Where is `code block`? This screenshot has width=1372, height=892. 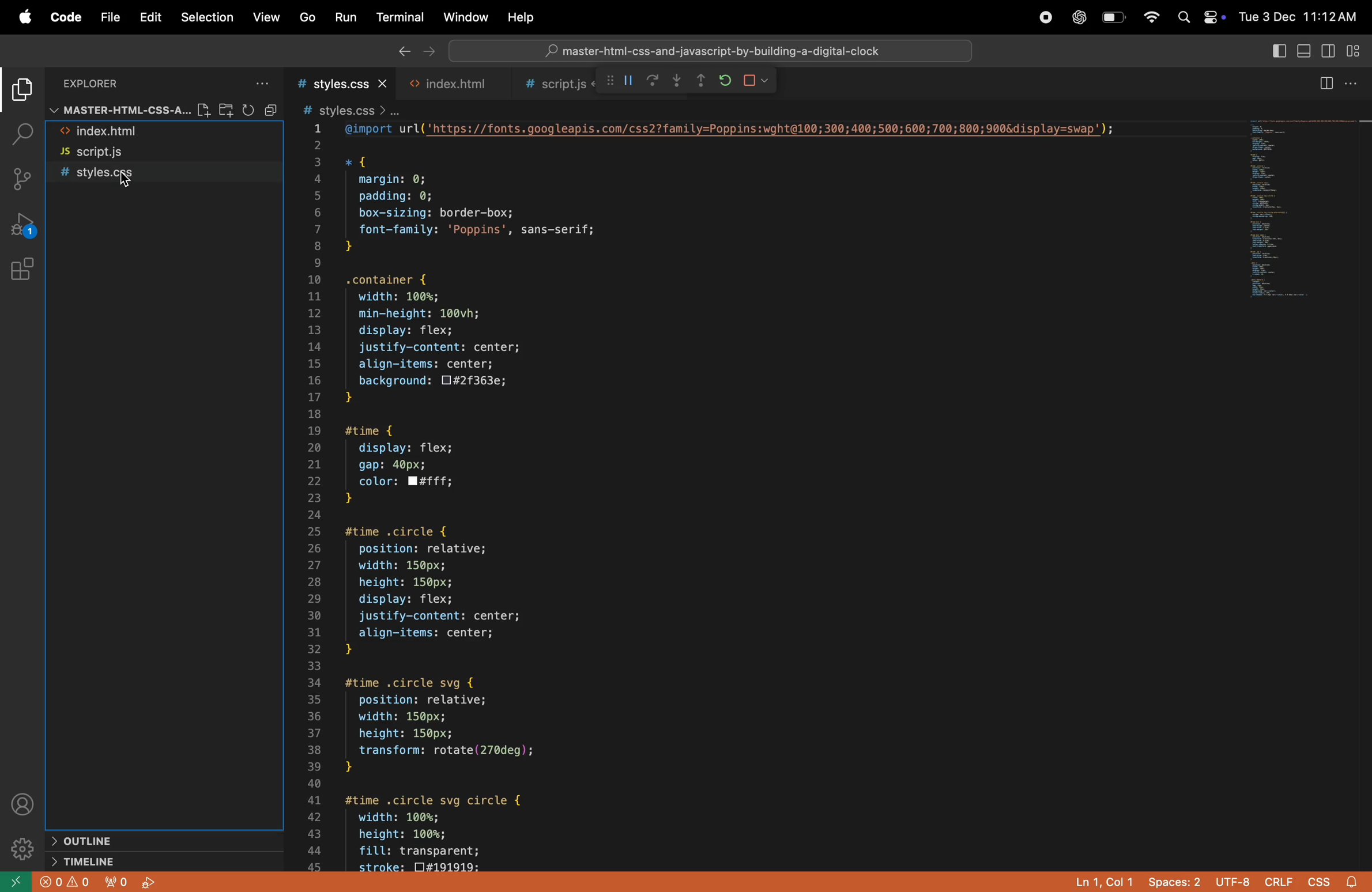 code block is located at coordinates (747, 497).